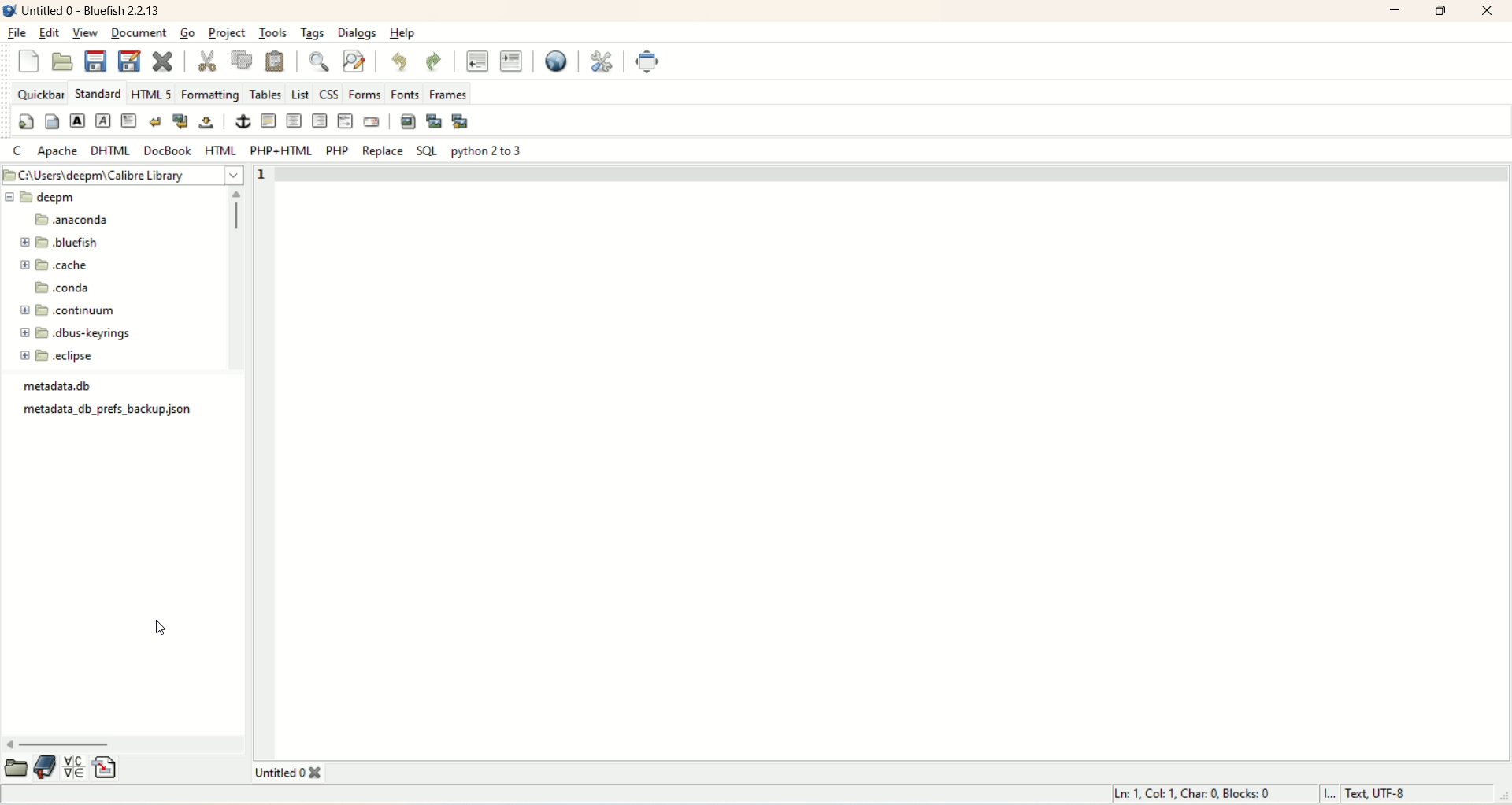 This screenshot has height=805, width=1512. Describe the element at coordinates (39, 95) in the screenshot. I see `quickbar` at that location.